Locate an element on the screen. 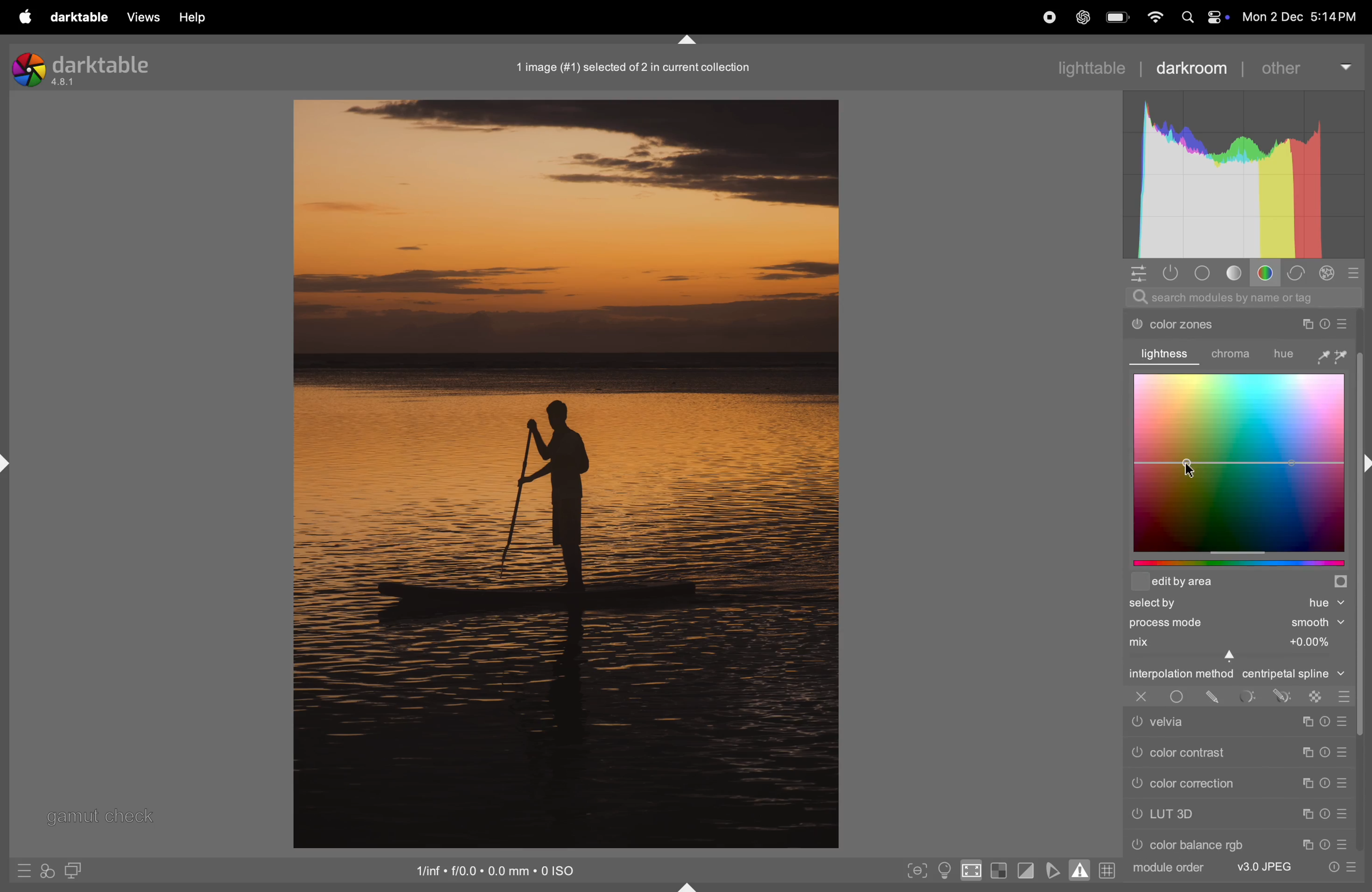  Histogram is located at coordinates (1245, 172).